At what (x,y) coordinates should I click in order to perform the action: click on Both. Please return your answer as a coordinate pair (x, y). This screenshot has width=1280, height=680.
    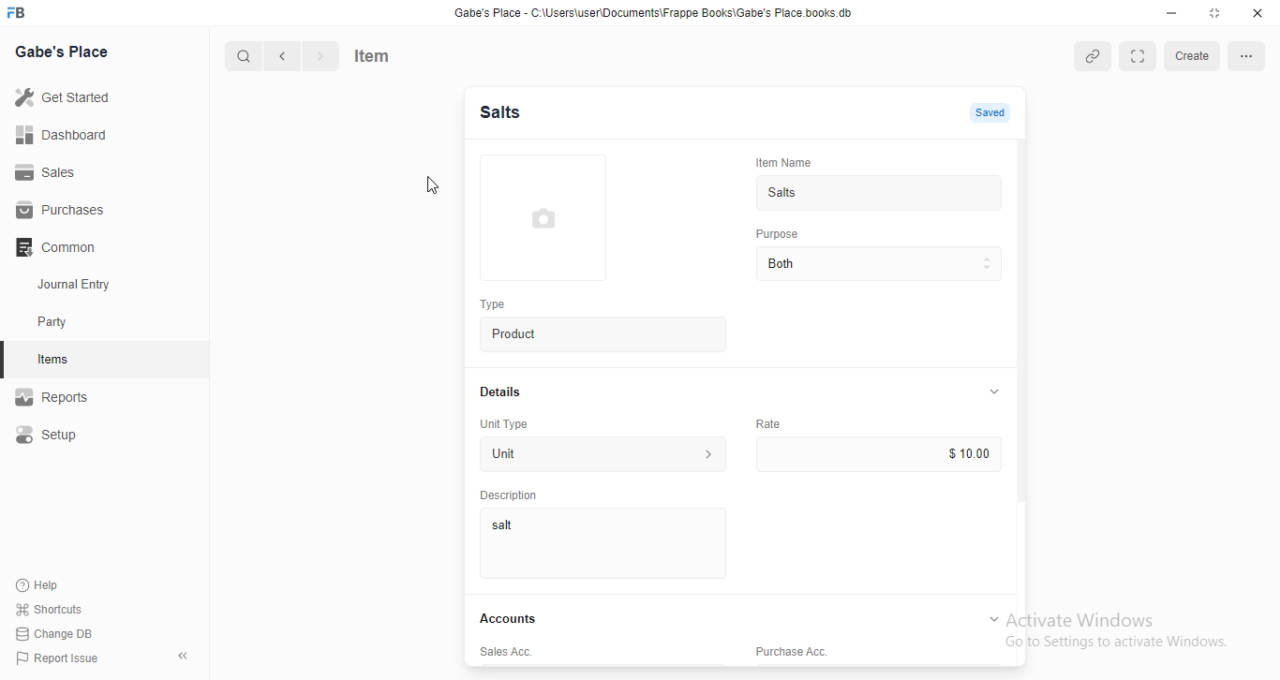
    Looking at the image, I should click on (785, 265).